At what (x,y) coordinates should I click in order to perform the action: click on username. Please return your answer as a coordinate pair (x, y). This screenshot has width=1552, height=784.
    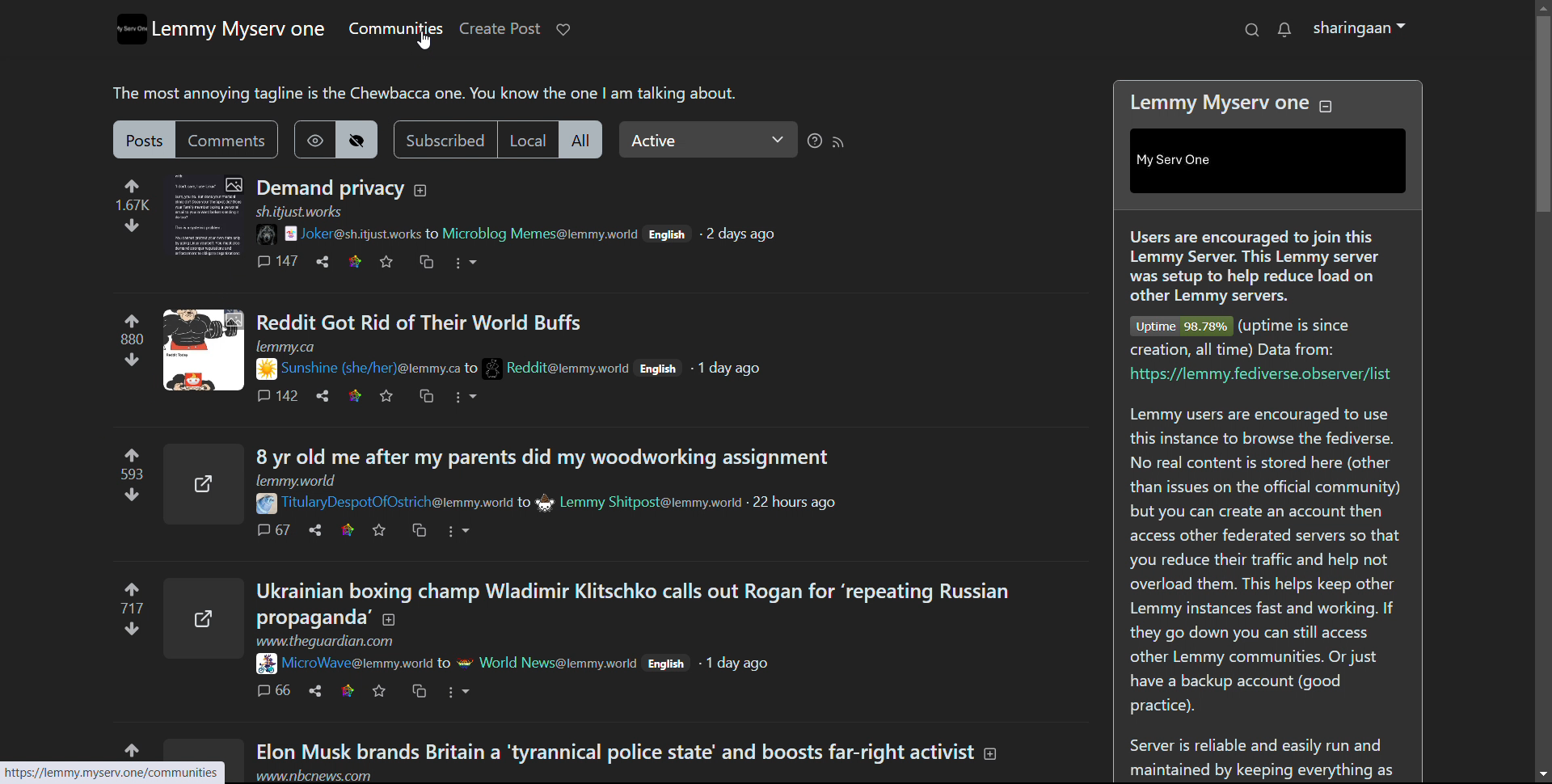
    Looking at the image, I should click on (559, 663).